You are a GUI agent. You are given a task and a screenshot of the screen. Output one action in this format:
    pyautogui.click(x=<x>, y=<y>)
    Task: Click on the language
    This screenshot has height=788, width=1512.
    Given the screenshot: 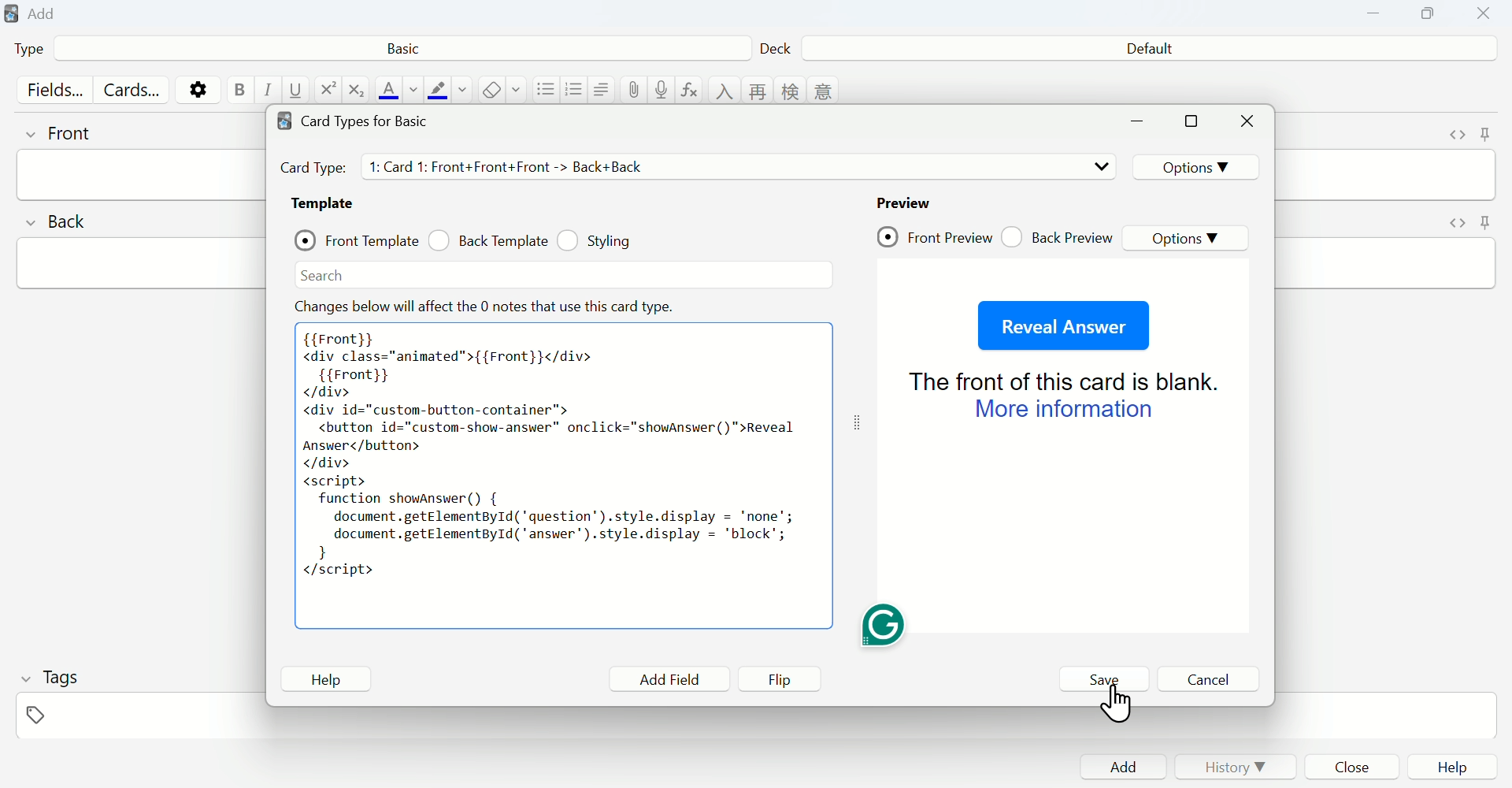 What is the action you would take?
    pyautogui.click(x=723, y=90)
    